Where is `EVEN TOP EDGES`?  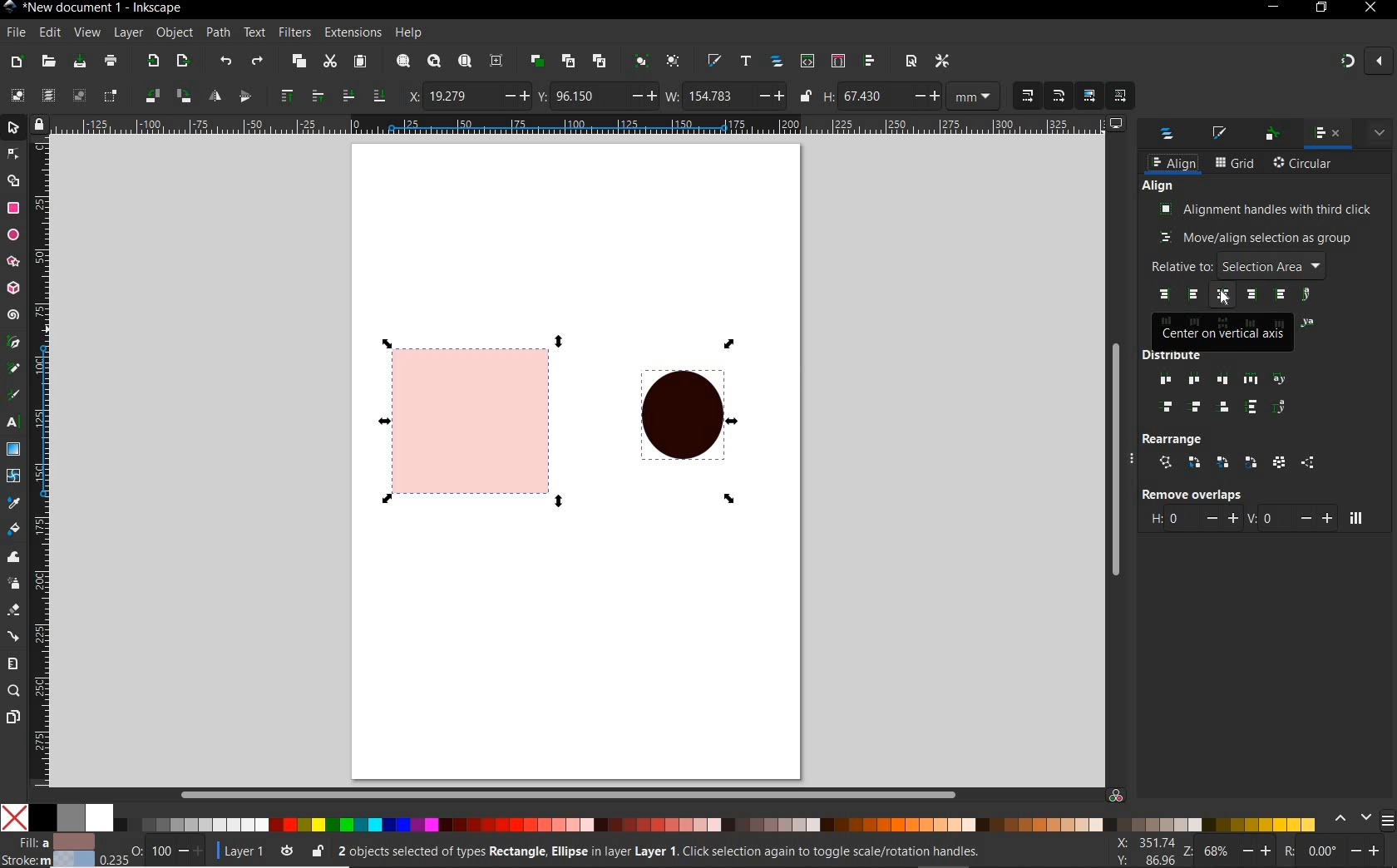 EVEN TOP EDGES is located at coordinates (1170, 408).